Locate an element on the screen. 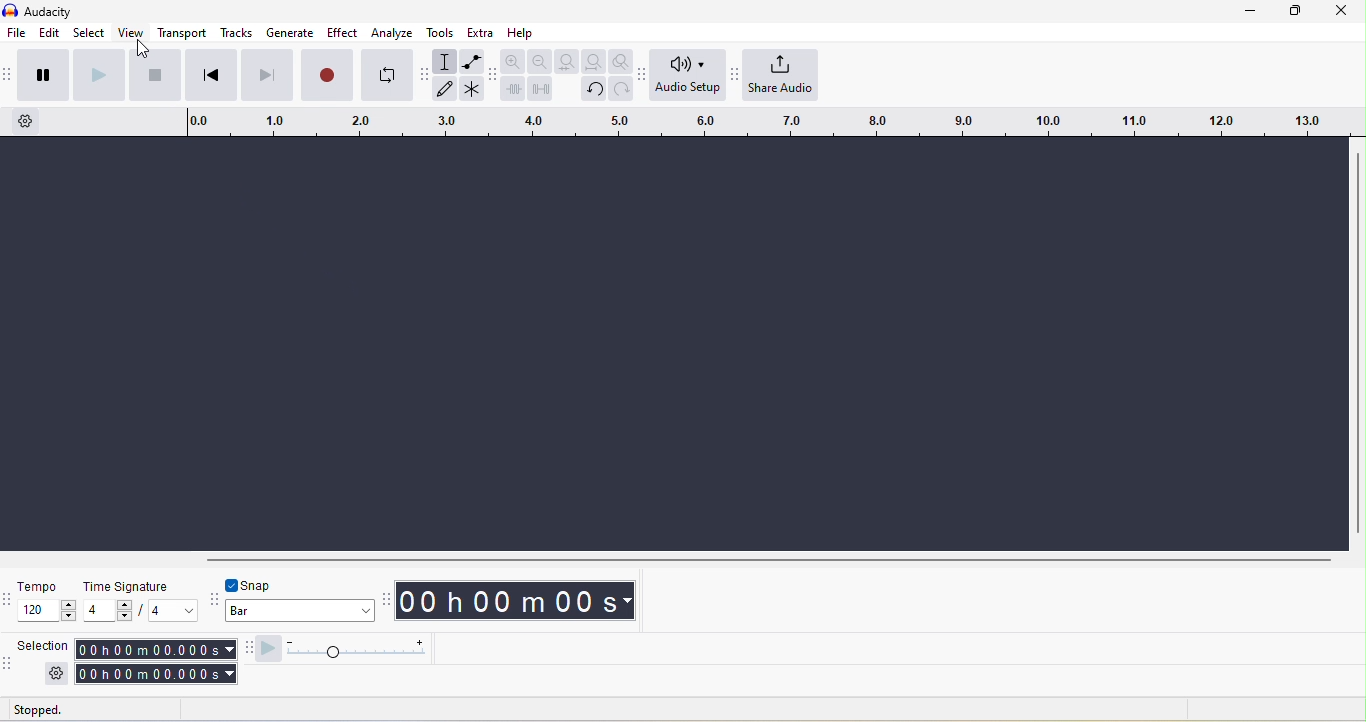  select is located at coordinates (89, 32).